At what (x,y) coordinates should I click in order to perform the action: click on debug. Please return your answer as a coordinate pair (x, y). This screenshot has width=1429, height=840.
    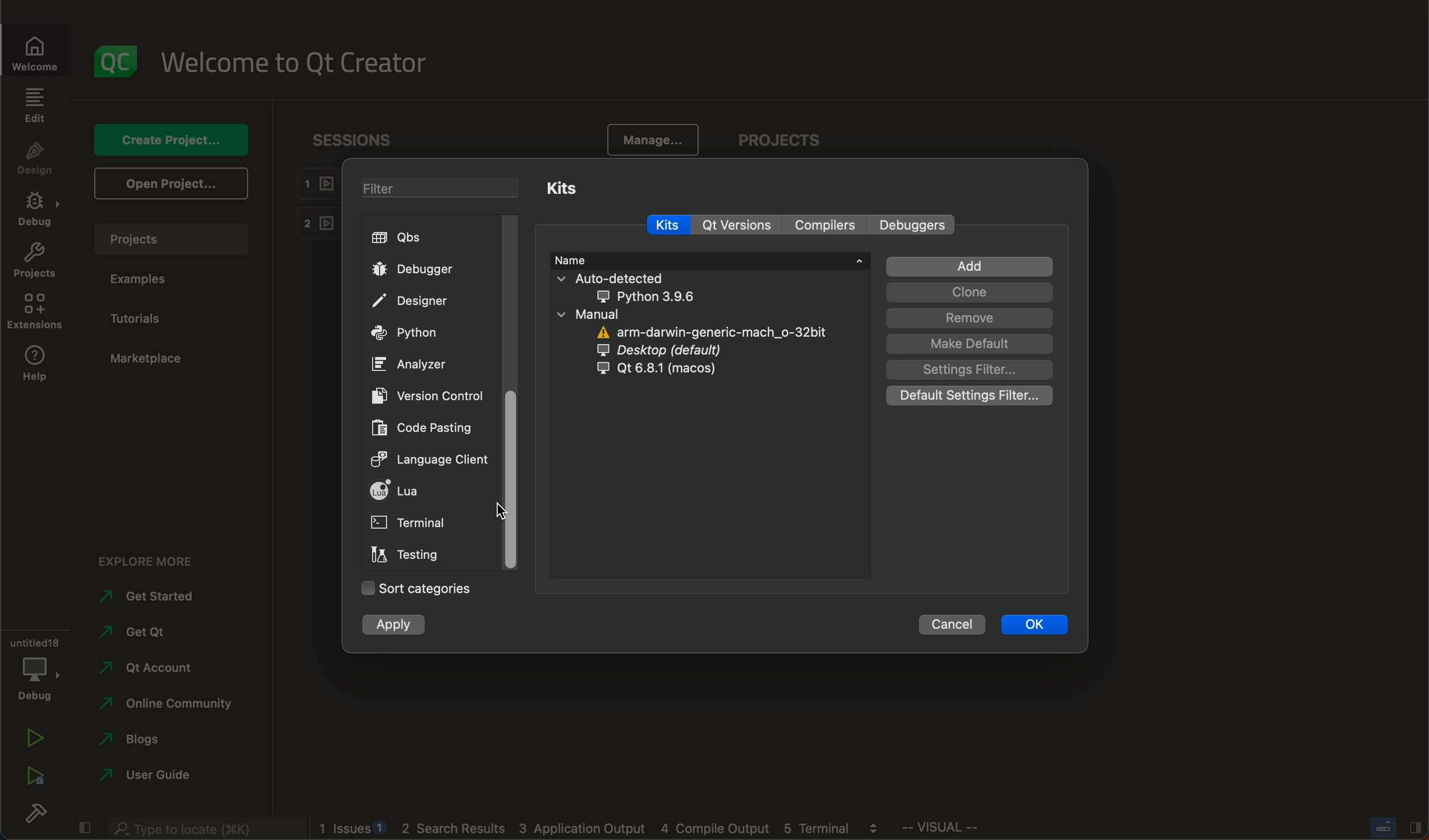
    Looking at the image, I should click on (35, 669).